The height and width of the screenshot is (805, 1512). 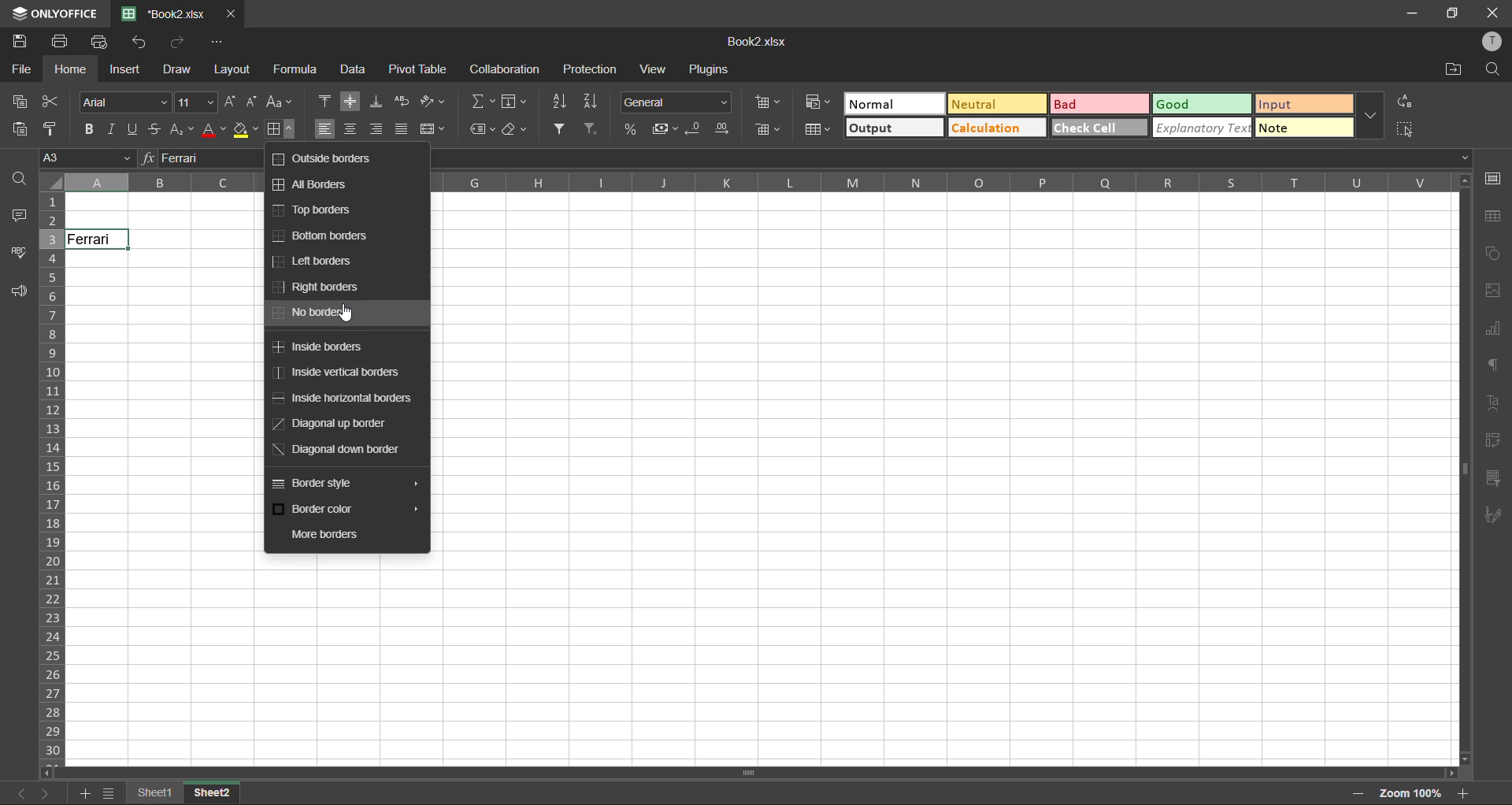 What do you see at coordinates (515, 102) in the screenshot?
I see `fields` at bounding box center [515, 102].